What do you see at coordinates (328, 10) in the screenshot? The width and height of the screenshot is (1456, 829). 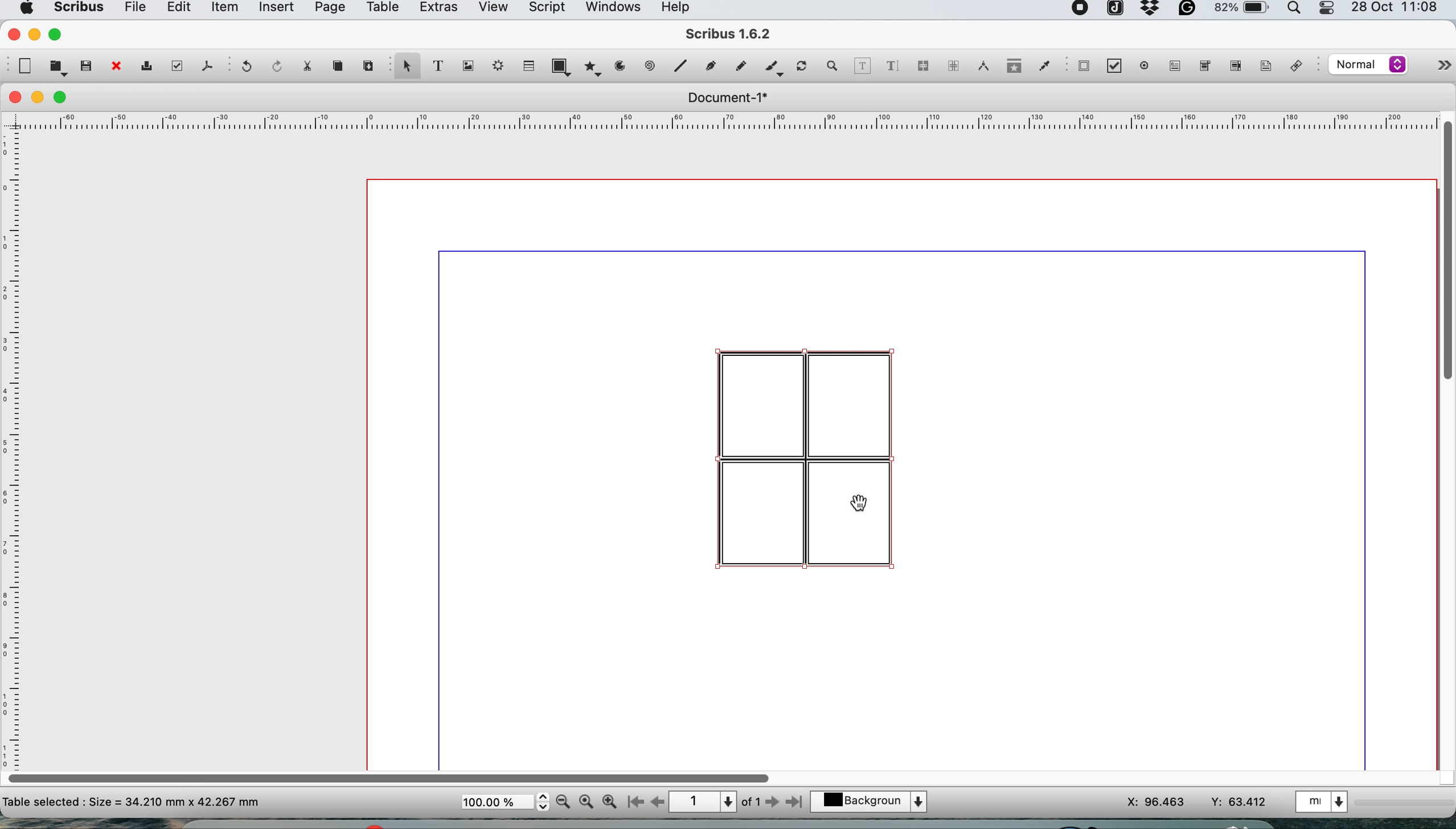 I see `page` at bounding box center [328, 10].